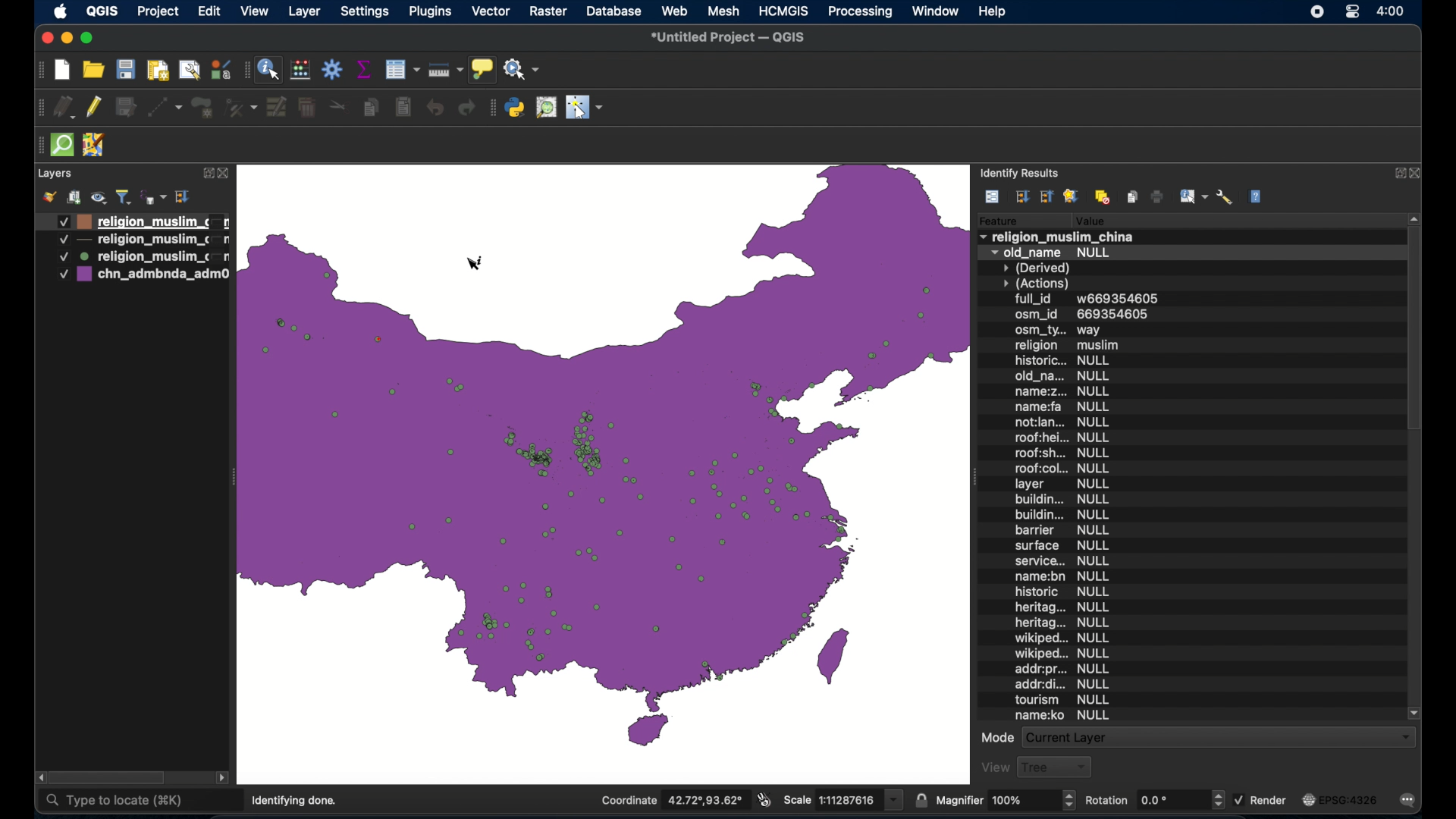 The image size is (1456, 819). What do you see at coordinates (1225, 197) in the screenshot?
I see `identify settings` at bounding box center [1225, 197].